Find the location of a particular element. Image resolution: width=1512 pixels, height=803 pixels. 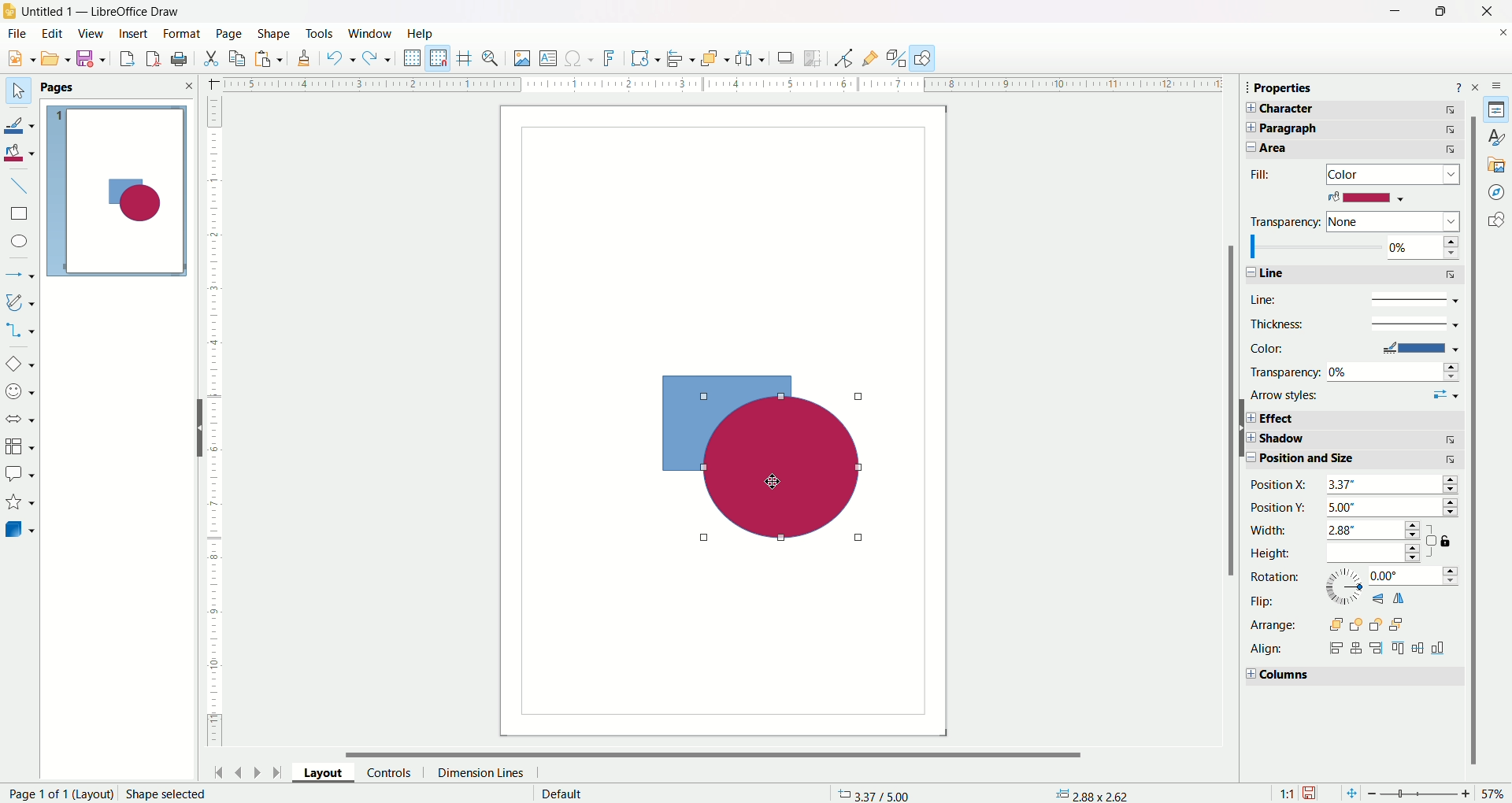

arrow style is located at coordinates (1355, 396).